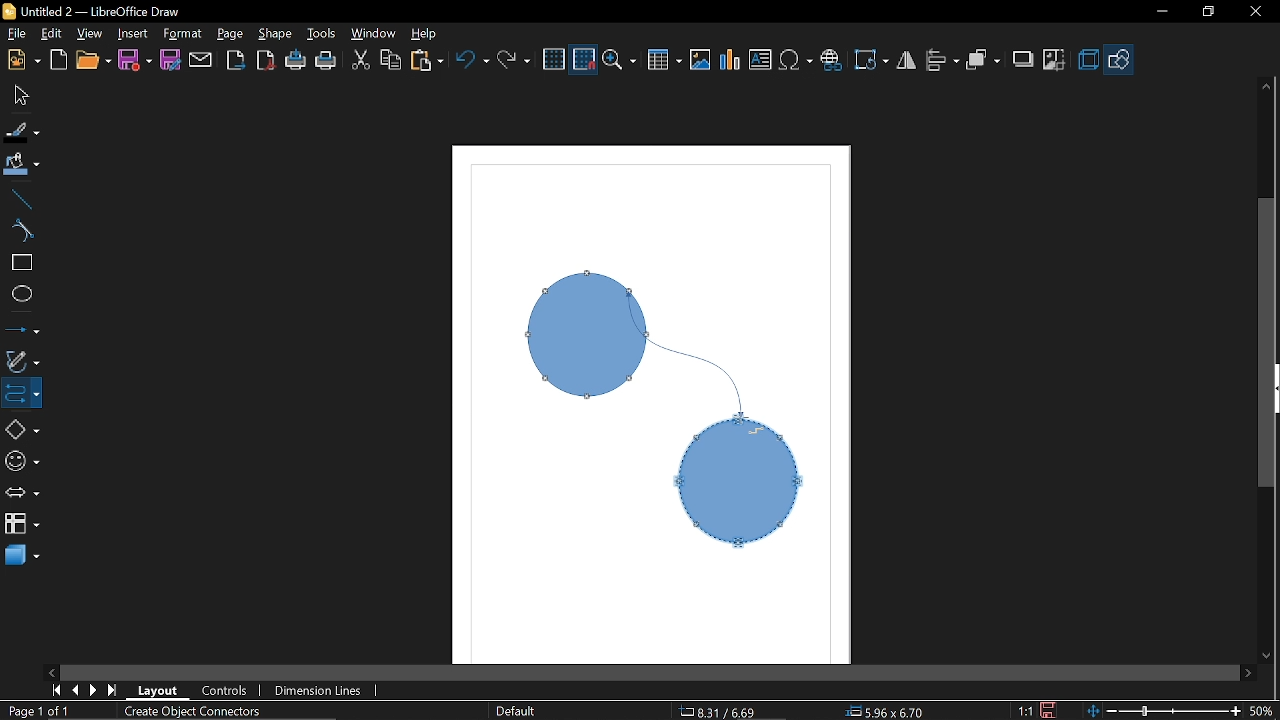 This screenshot has width=1280, height=720. What do you see at coordinates (21, 557) in the screenshot?
I see `3d shapes` at bounding box center [21, 557].